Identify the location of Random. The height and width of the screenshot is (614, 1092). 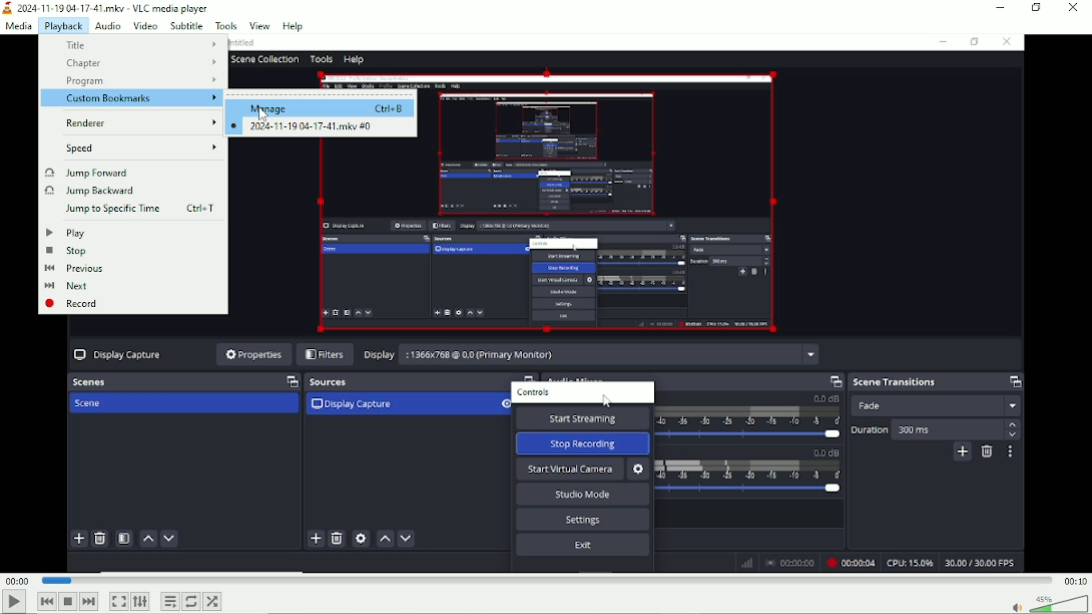
(212, 602).